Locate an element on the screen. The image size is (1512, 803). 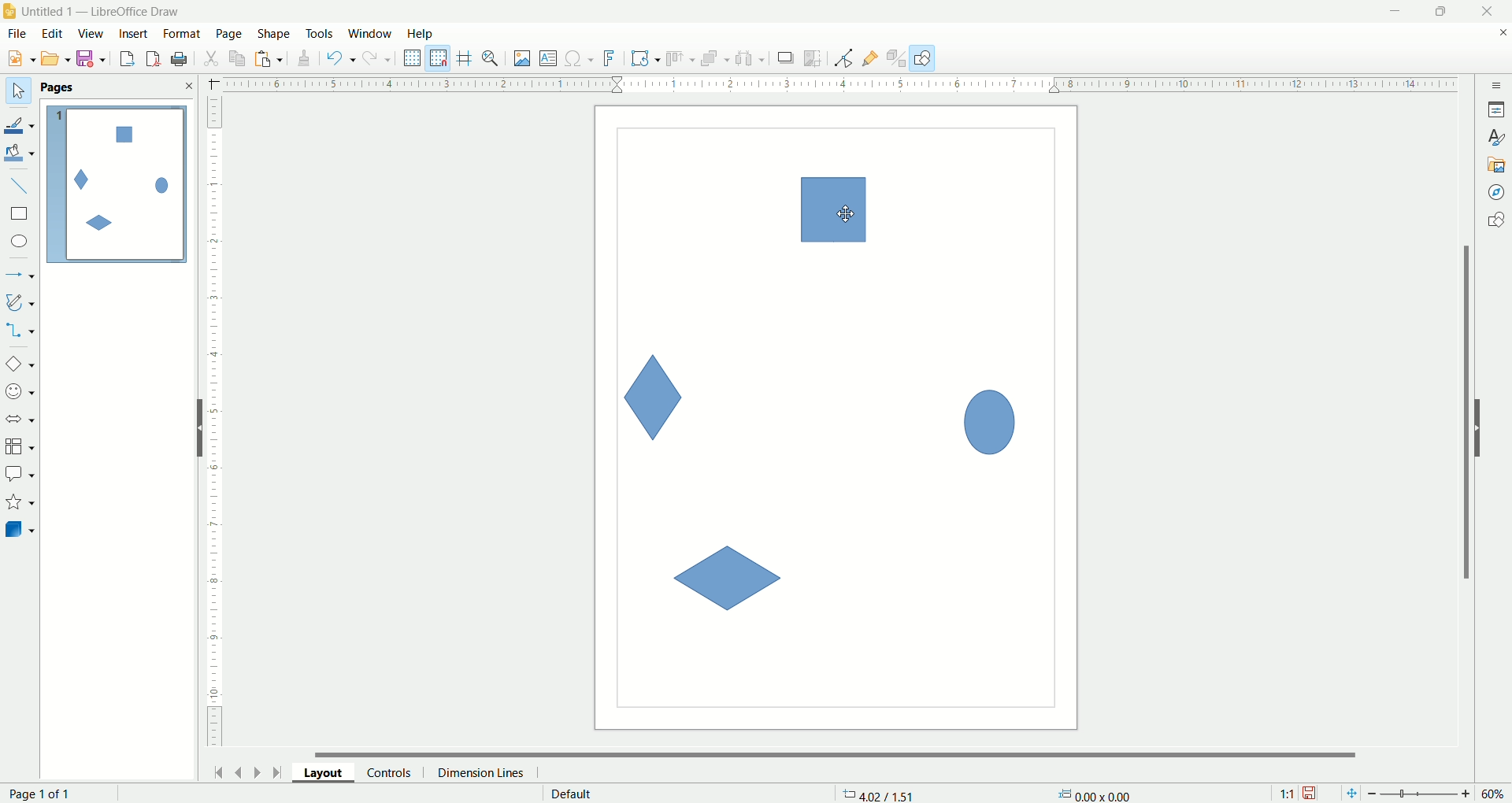
hide is located at coordinates (1486, 425).